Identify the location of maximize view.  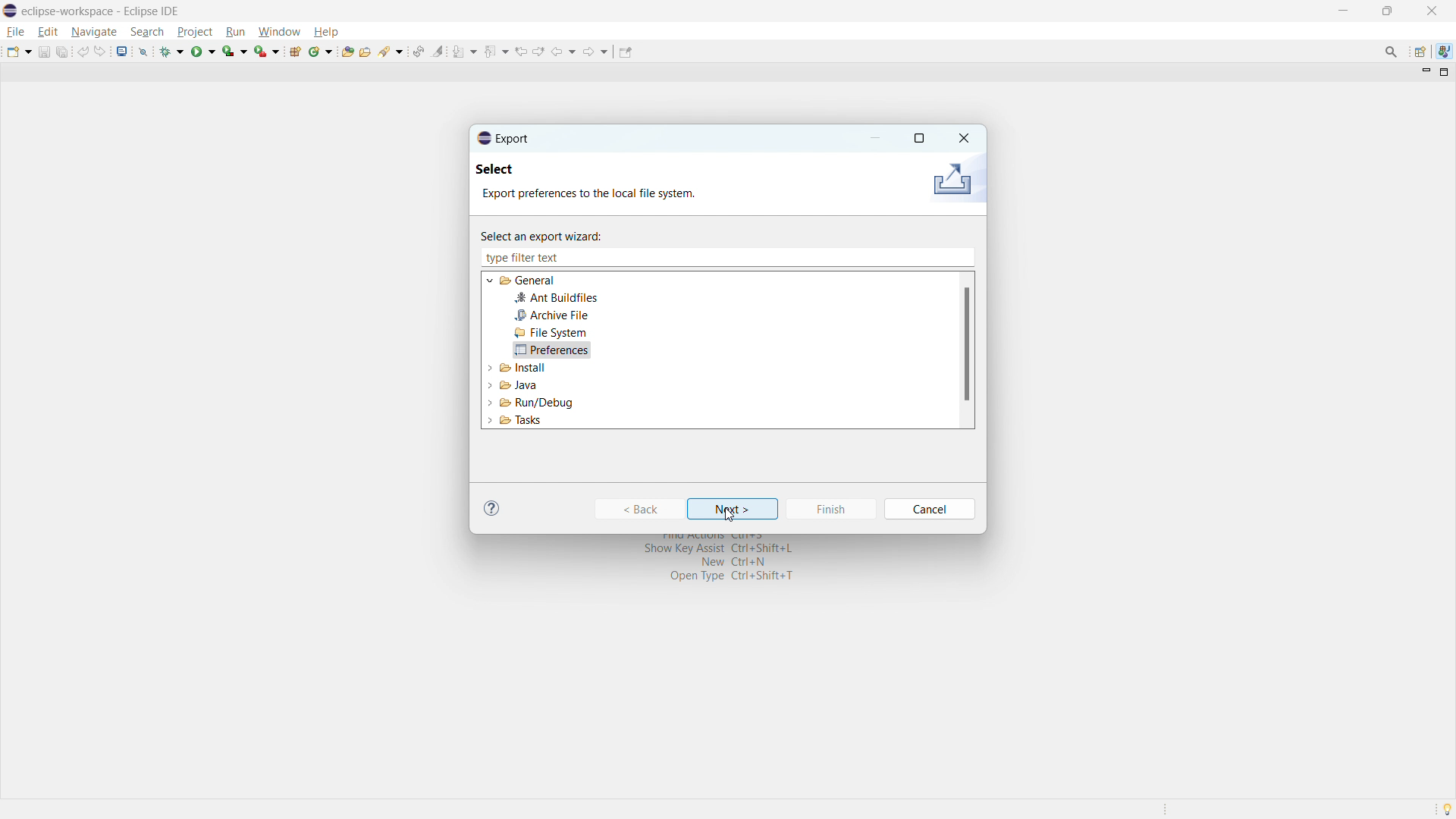
(1445, 72).